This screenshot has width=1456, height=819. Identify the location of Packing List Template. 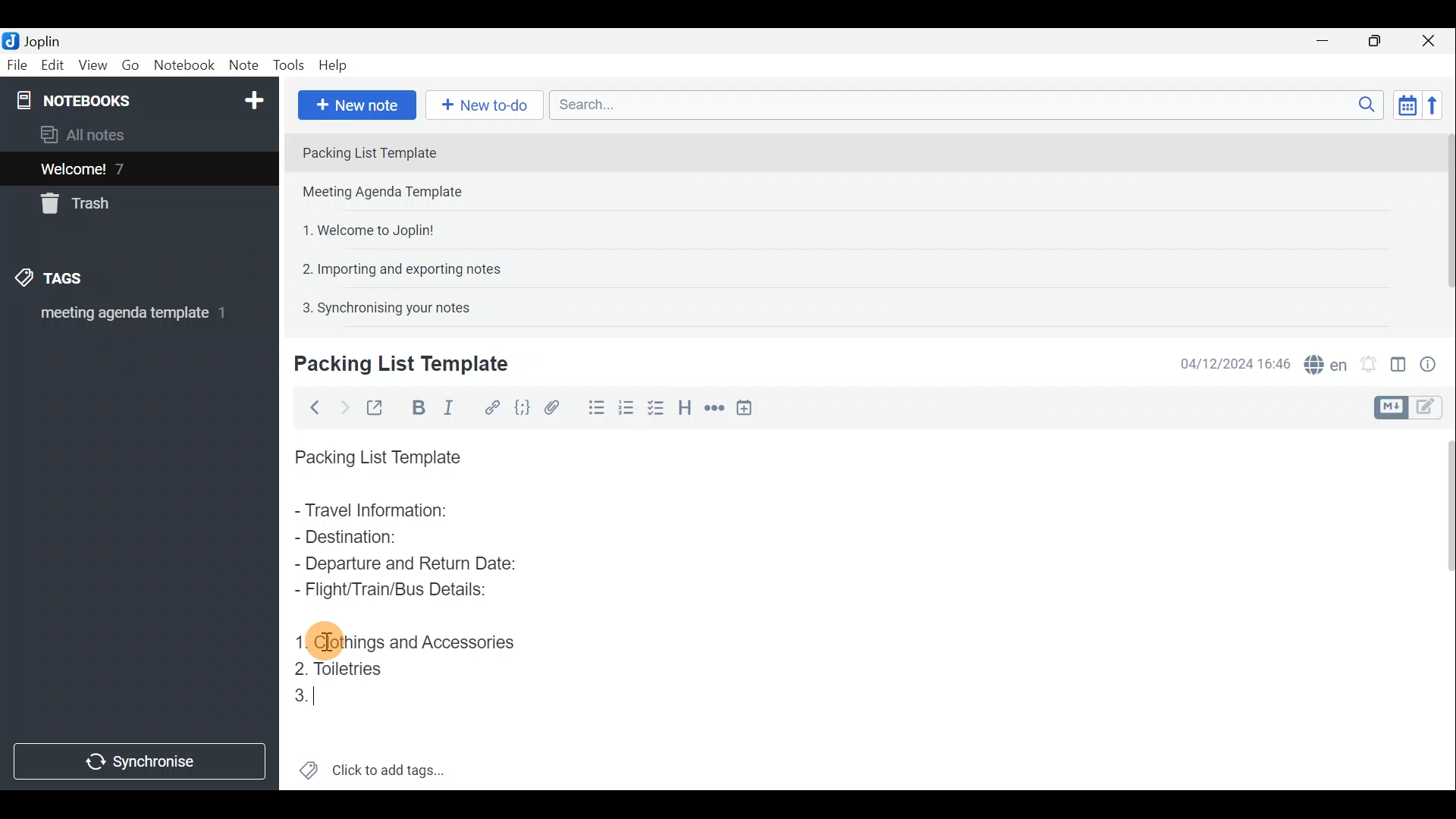
(375, 453).